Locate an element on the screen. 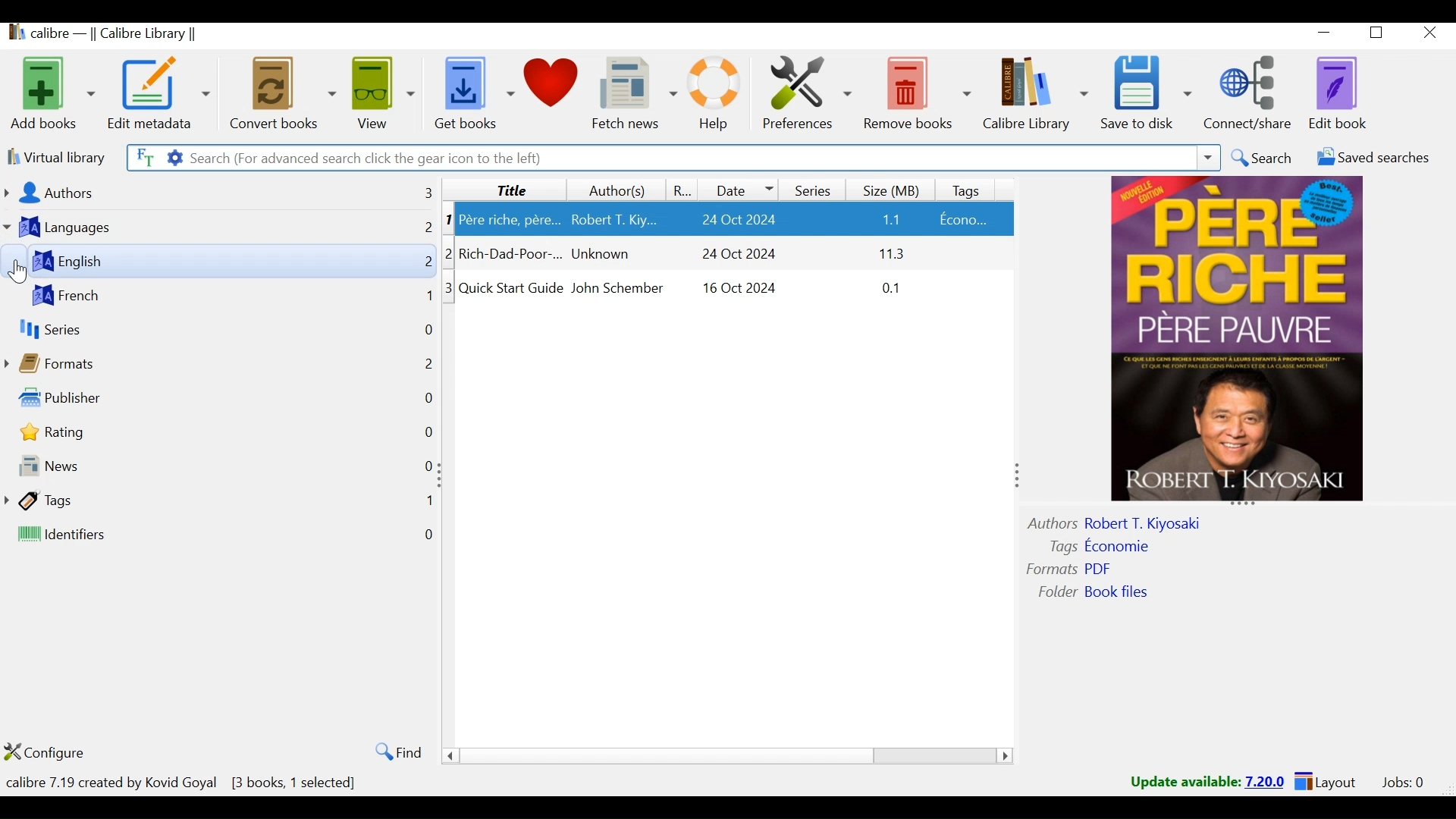 The height and width of the screenshot is (819, 1456). Title is located at coordinates (503, 189).